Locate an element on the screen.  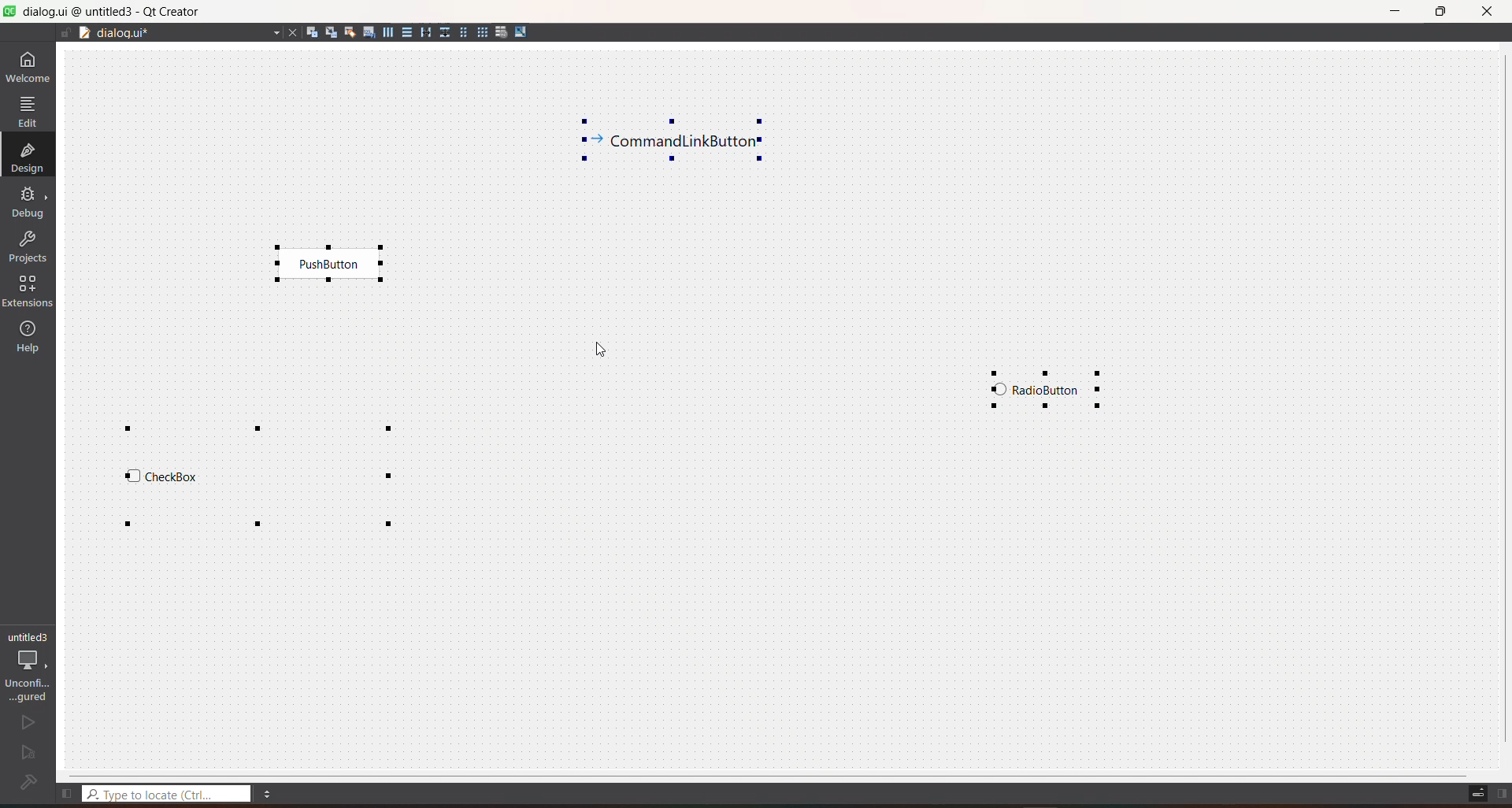
file name is located at coordinates (189, 33).